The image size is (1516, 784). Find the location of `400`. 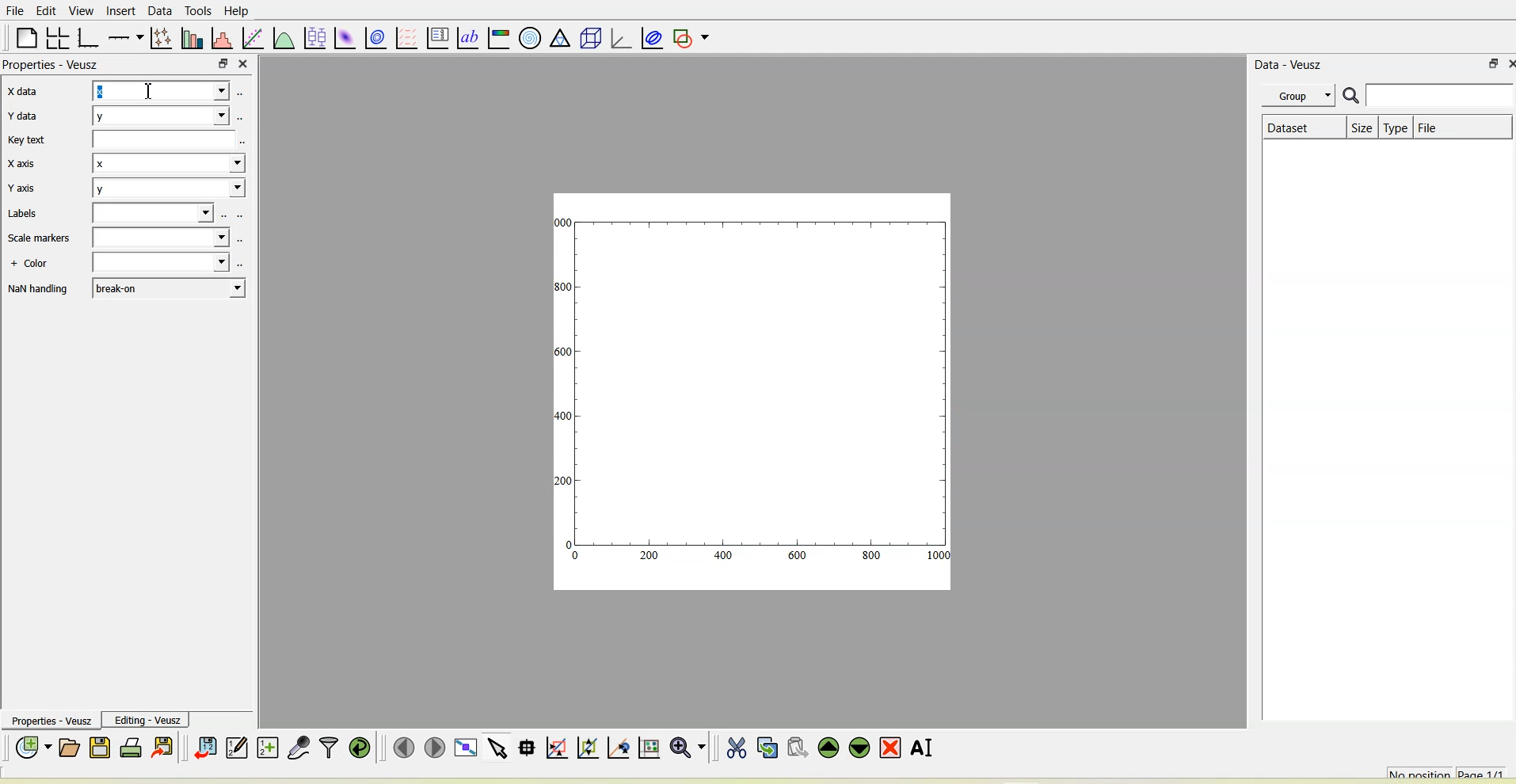

400 is located at coordinates (564, 414).